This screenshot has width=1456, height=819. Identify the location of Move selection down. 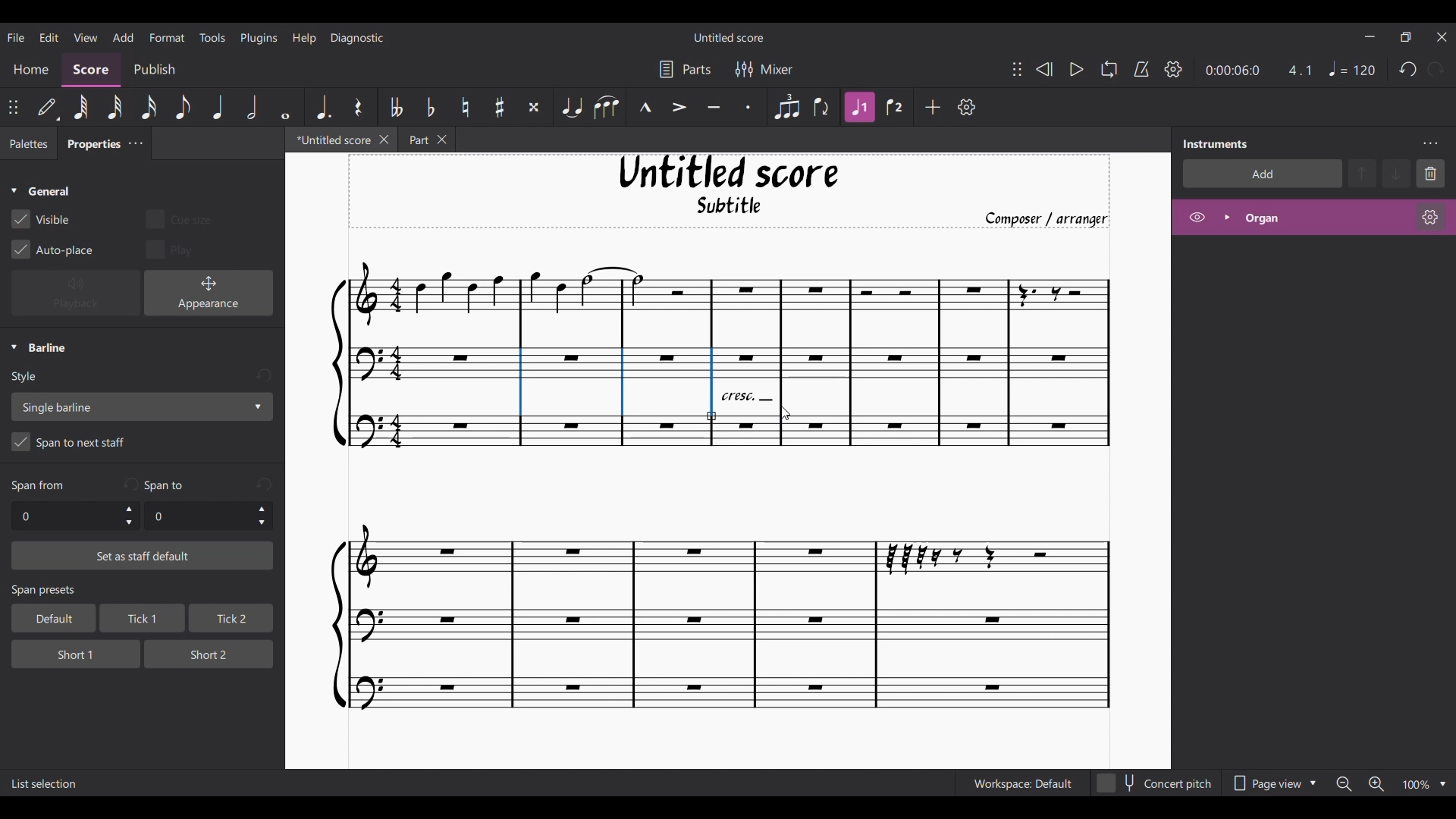
(1398, 174).